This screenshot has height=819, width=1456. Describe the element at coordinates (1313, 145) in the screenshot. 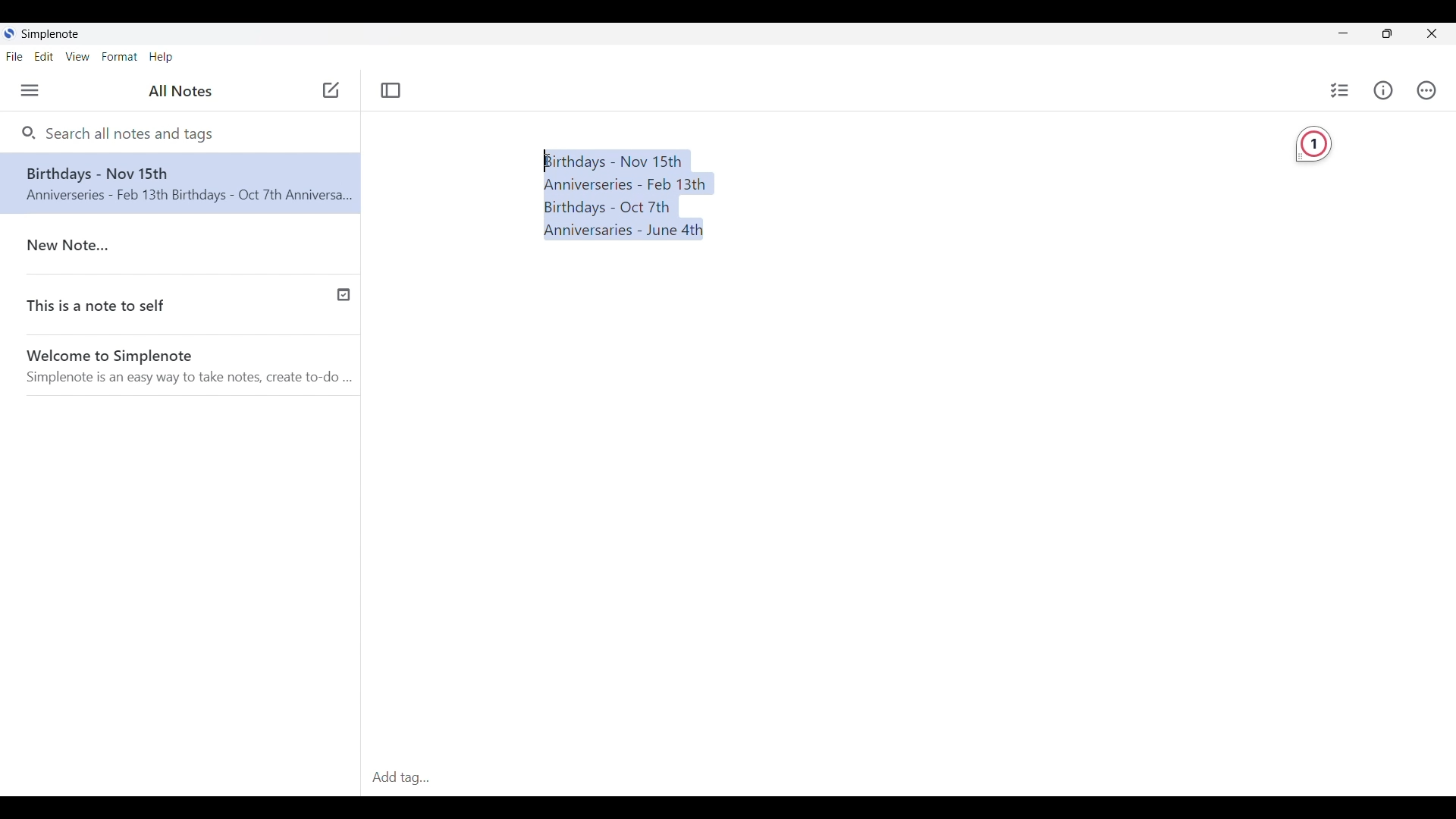

I see `Grammarly extension detecting 1 required change ` at that location.